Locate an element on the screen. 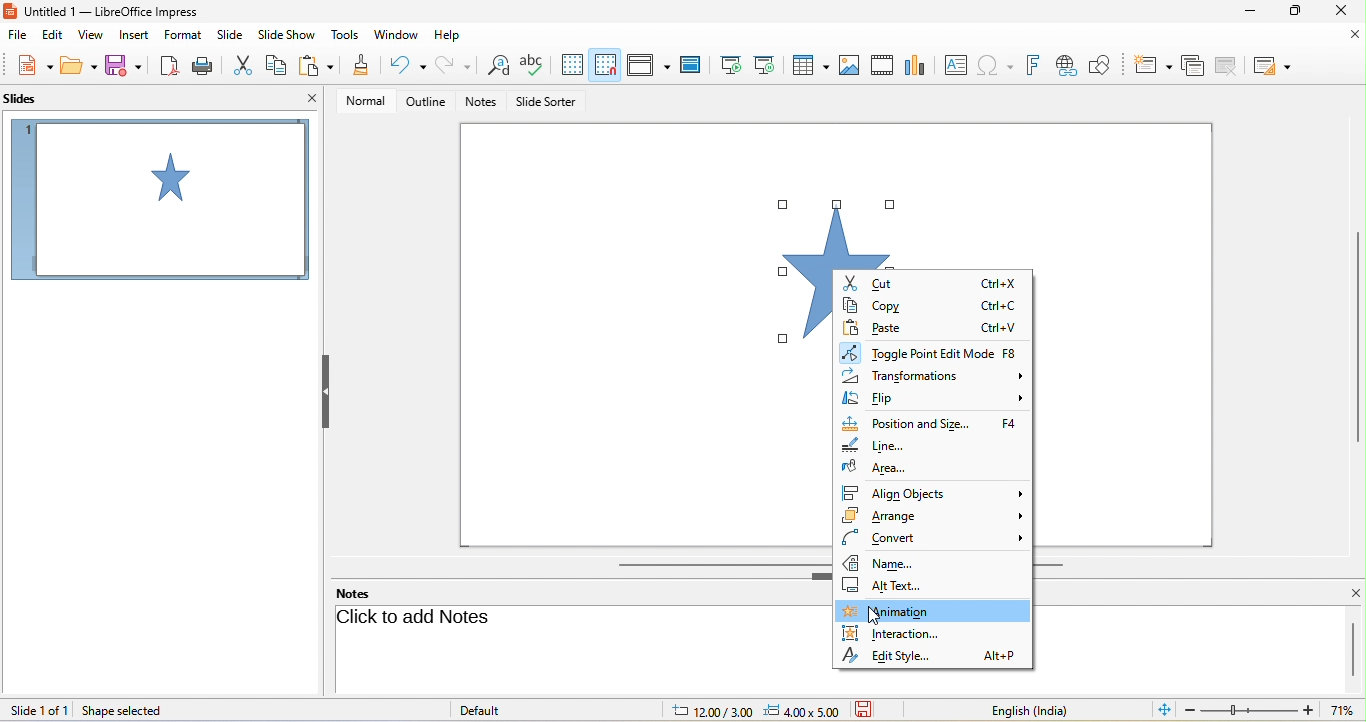 The image size is (1366, 722). export directly as pdf is located at coordinates (166, 67).